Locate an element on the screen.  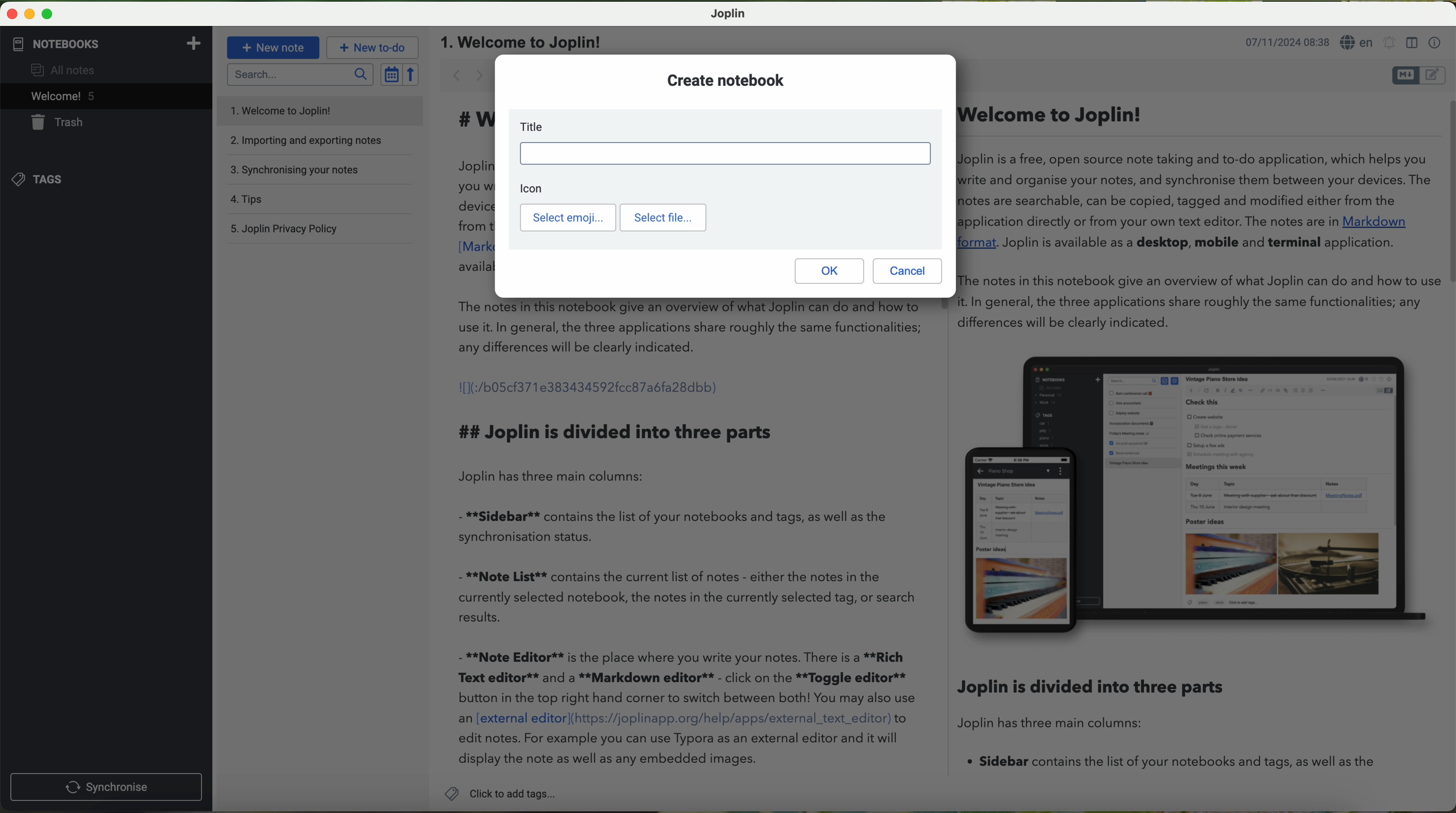
synchronise button is located at coordinates (106, 788).